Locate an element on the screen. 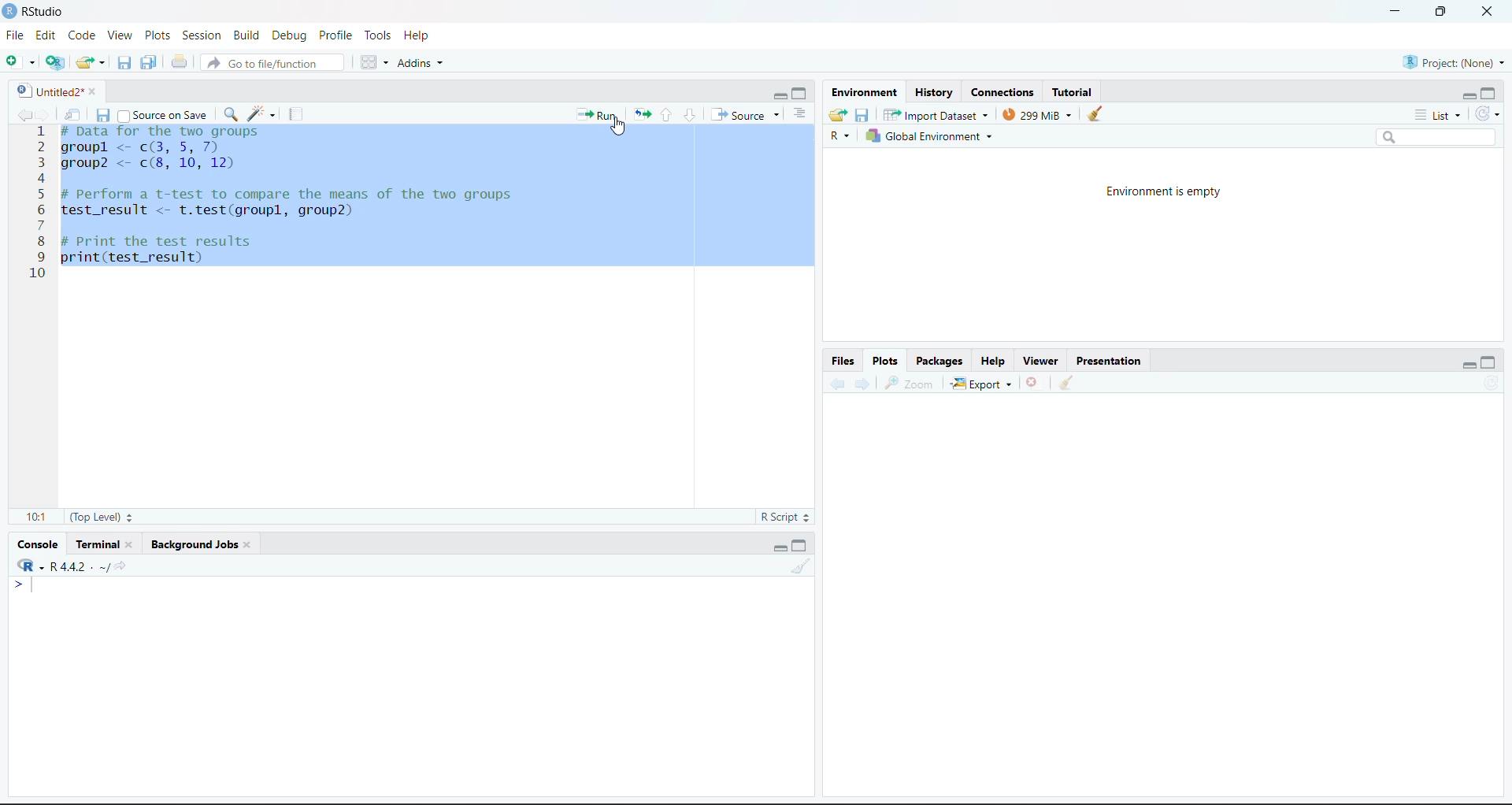 The width and height of the screenshot is (1512, 805). R is located at coordinates (839, 136).